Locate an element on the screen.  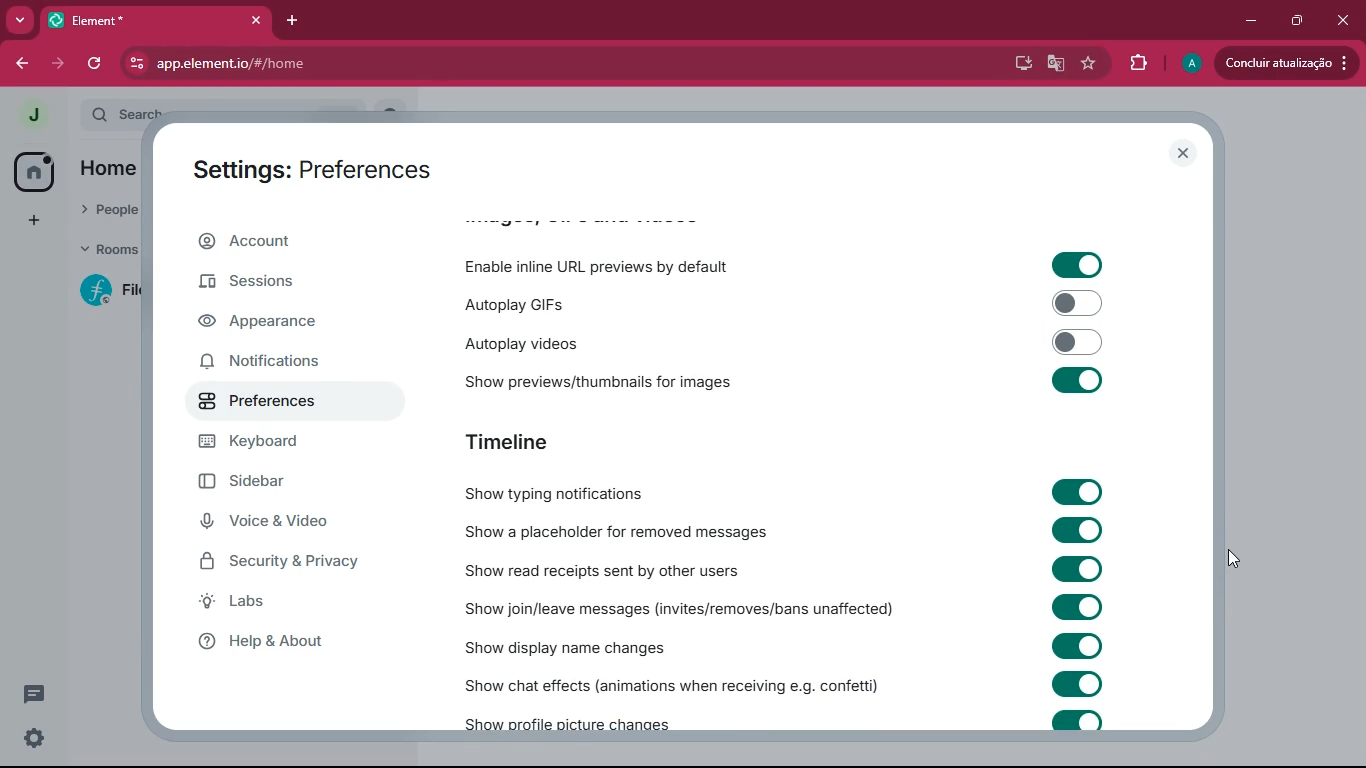
help & about is located at coordinates (270, 642).